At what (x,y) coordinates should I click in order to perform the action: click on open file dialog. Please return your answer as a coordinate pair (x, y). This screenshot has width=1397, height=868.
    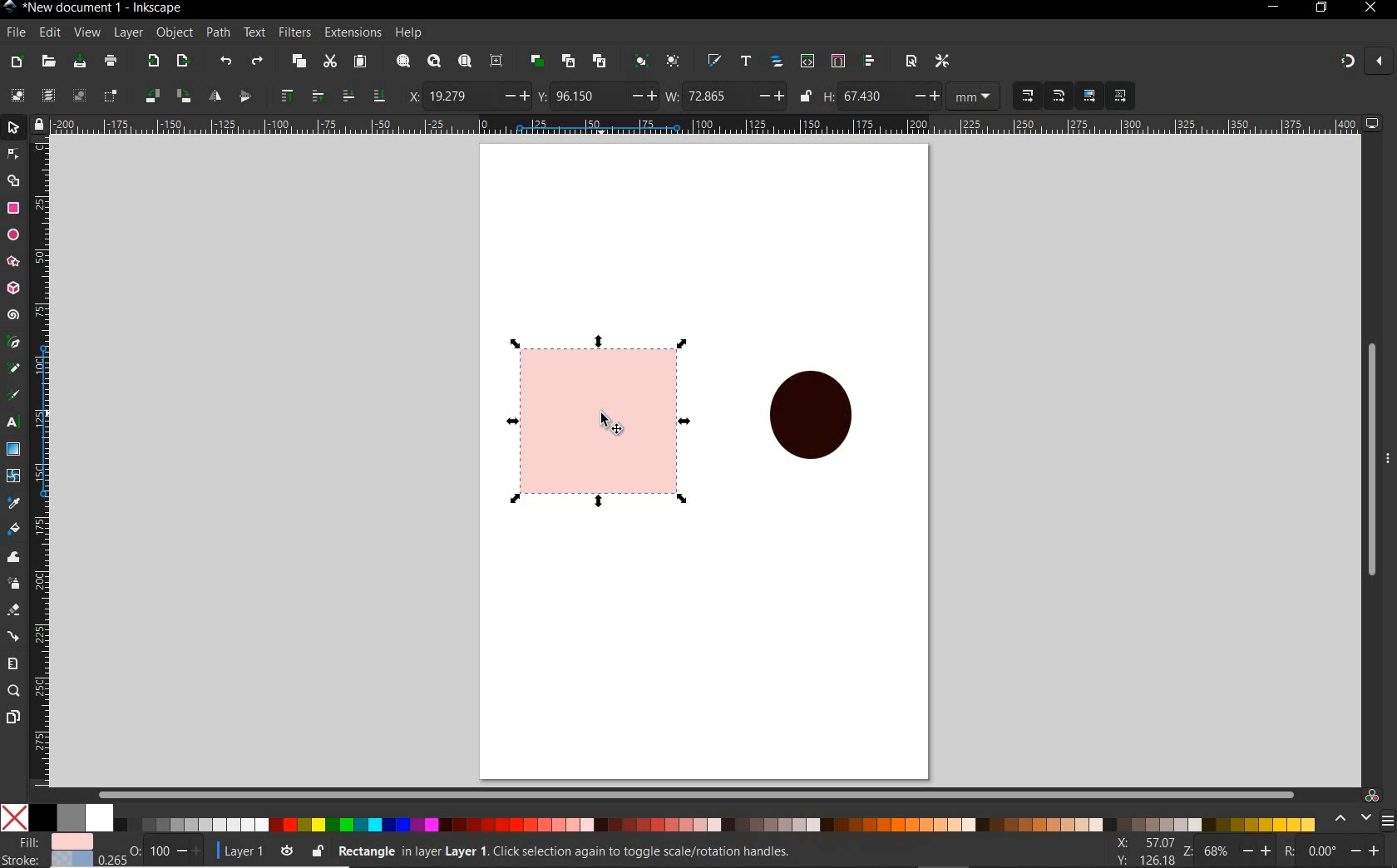
    Looking at the image, I should click on (49, 62).